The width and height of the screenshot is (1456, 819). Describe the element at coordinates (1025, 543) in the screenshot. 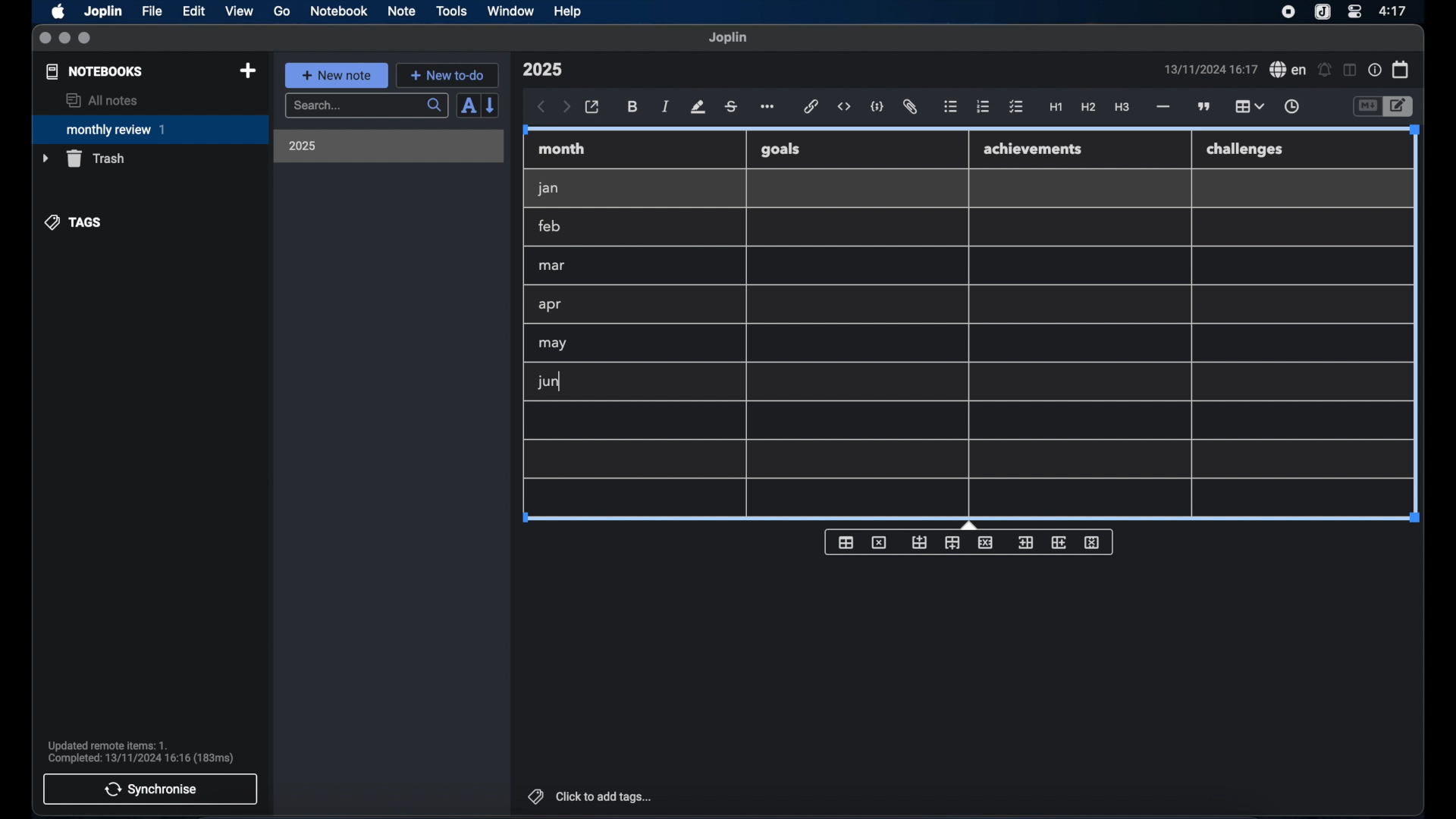

I see `insert column before` at that location.